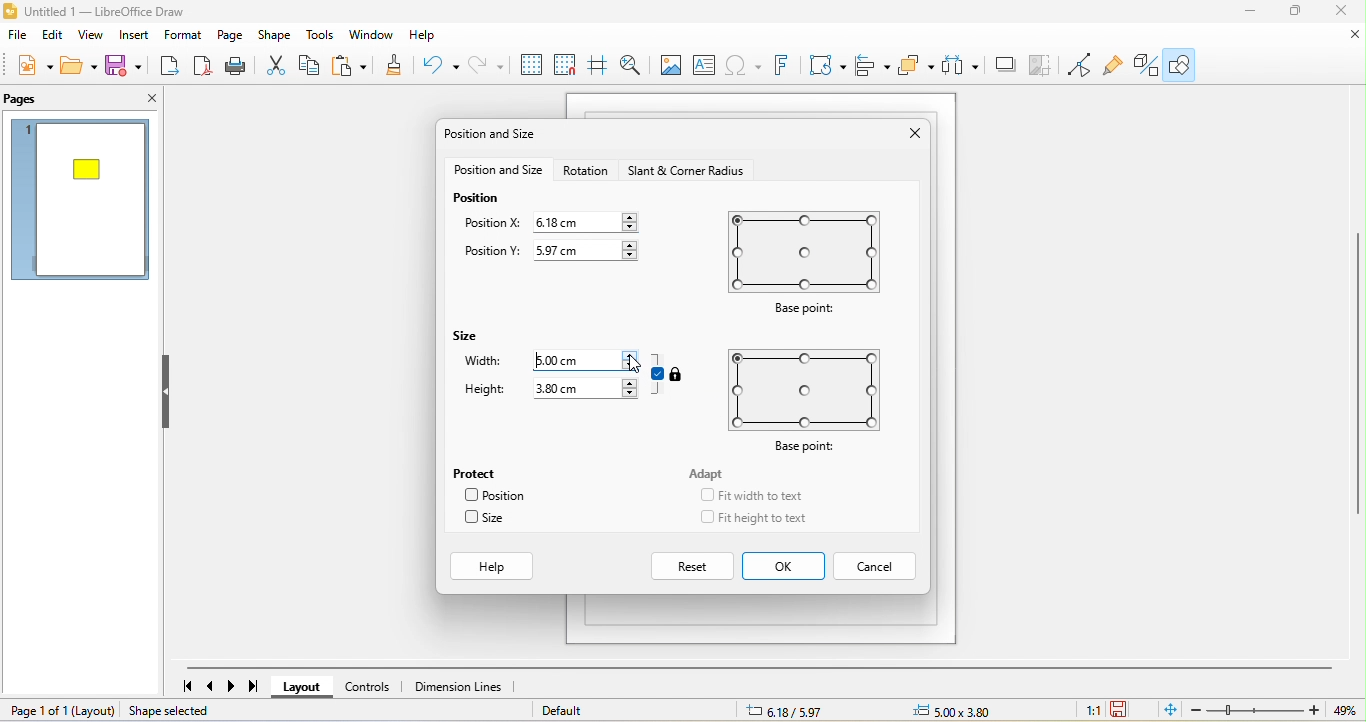 Image resolution: width=1366 pixels, height=722 pixels. I want to click on controls, so click(372, 687).